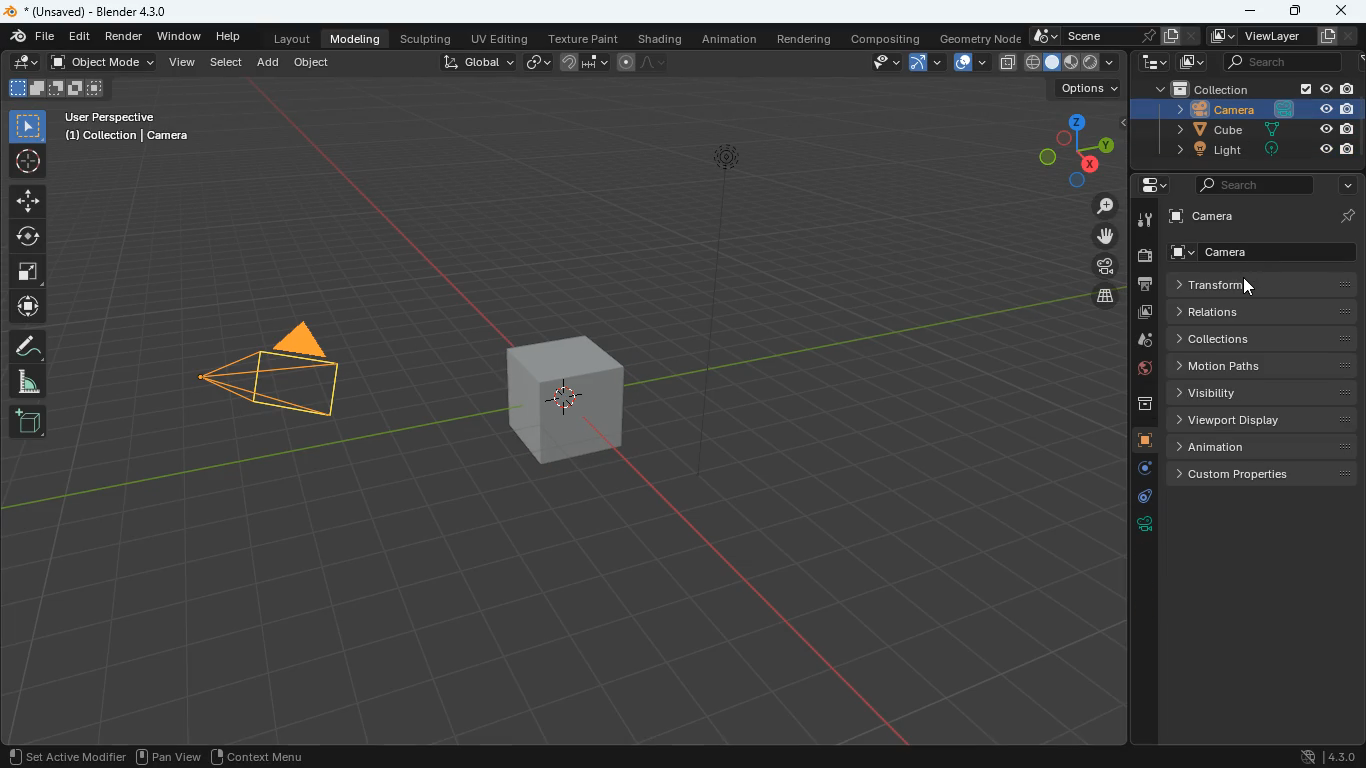 The image size is (1366, 768). What do you see at coordinates (500, 38) in the screenshot?
I see `uv editing` at bounding box center [500, 38].